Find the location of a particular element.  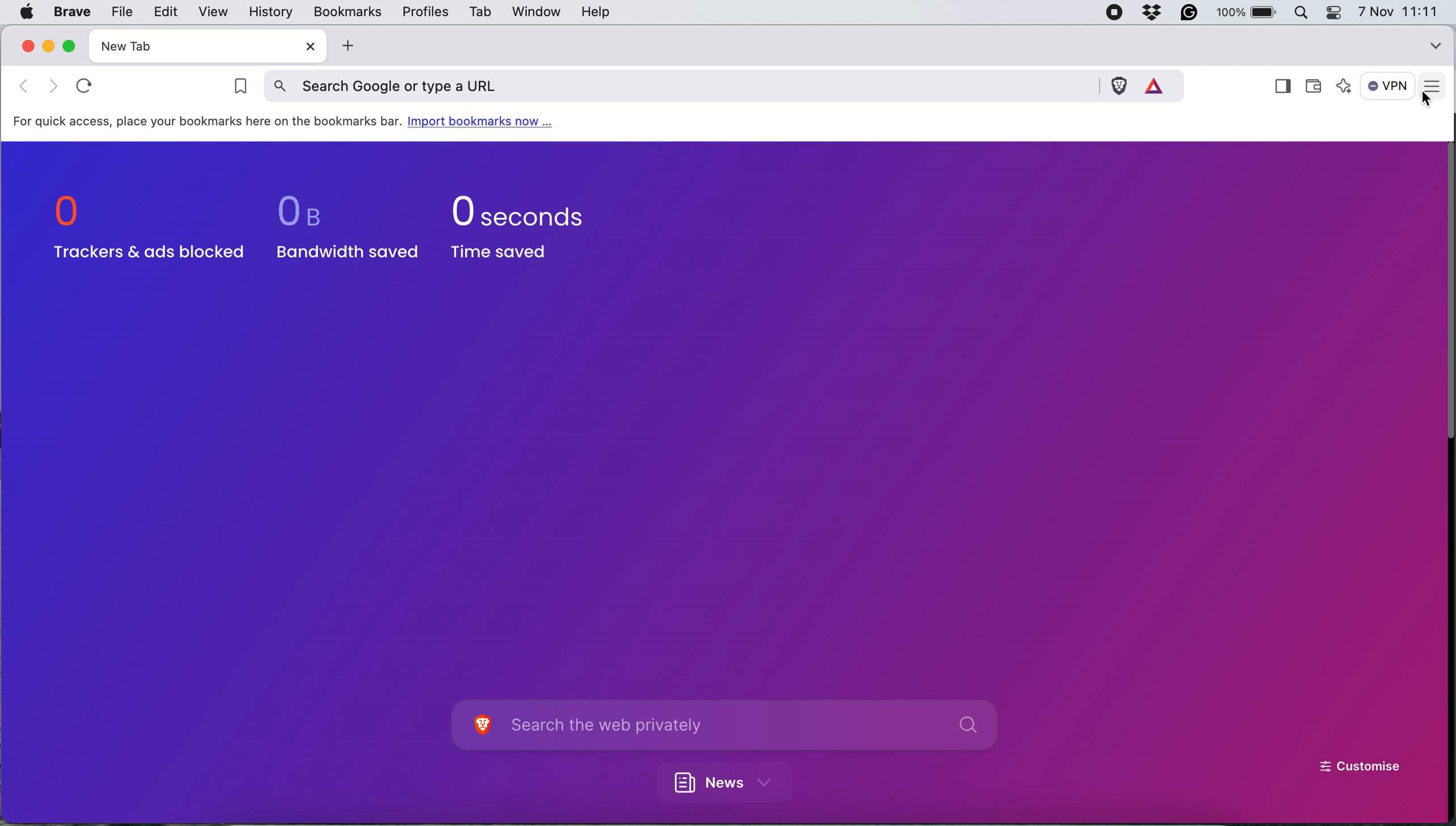

leo ai is located at coordinates (1345, 88).